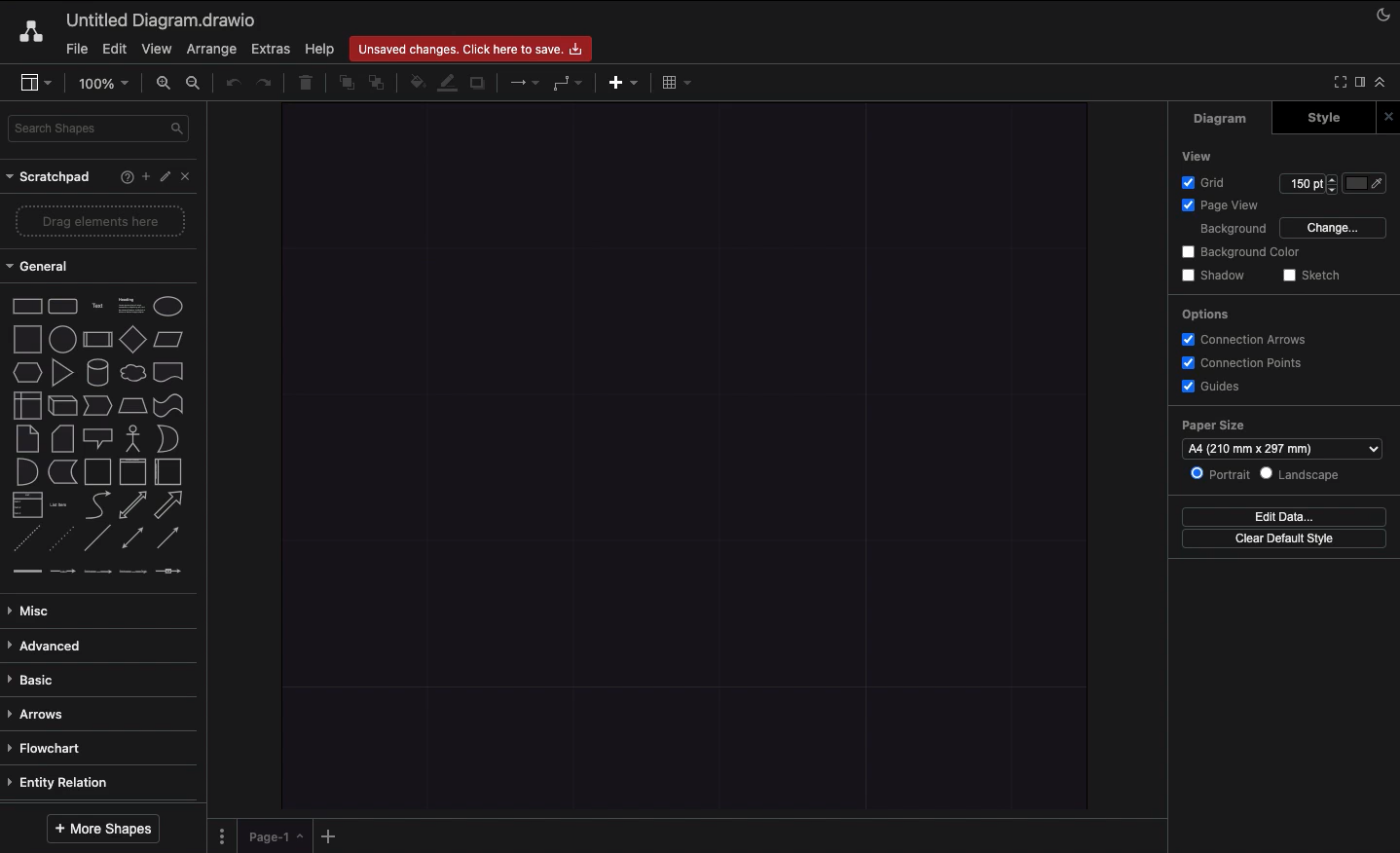 The image size is (1400, 853). Describe the element at coordinates (678, 82) in the screenshot. I see `Table` at that location.